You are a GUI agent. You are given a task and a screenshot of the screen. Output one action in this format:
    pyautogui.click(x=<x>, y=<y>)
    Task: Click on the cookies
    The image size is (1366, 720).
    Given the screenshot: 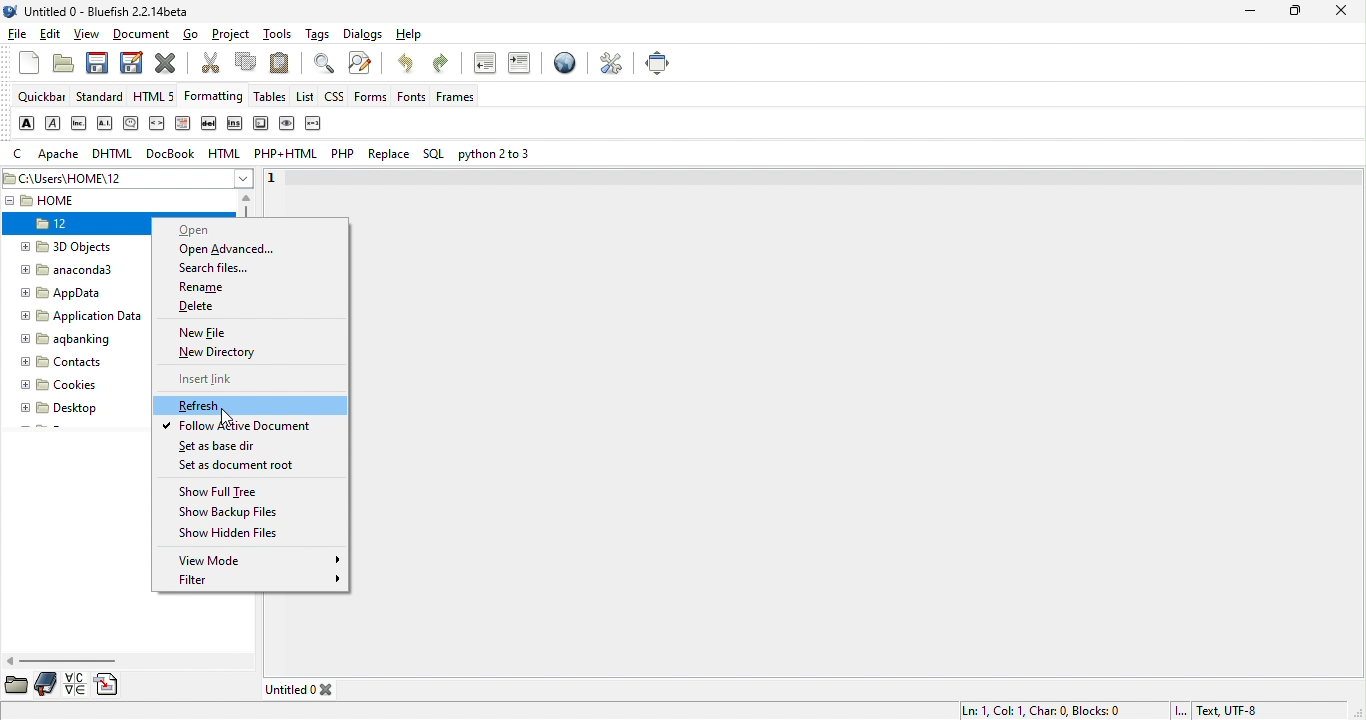 What is the action you would take?
    pyautogui.click(x=67, y=385)
    